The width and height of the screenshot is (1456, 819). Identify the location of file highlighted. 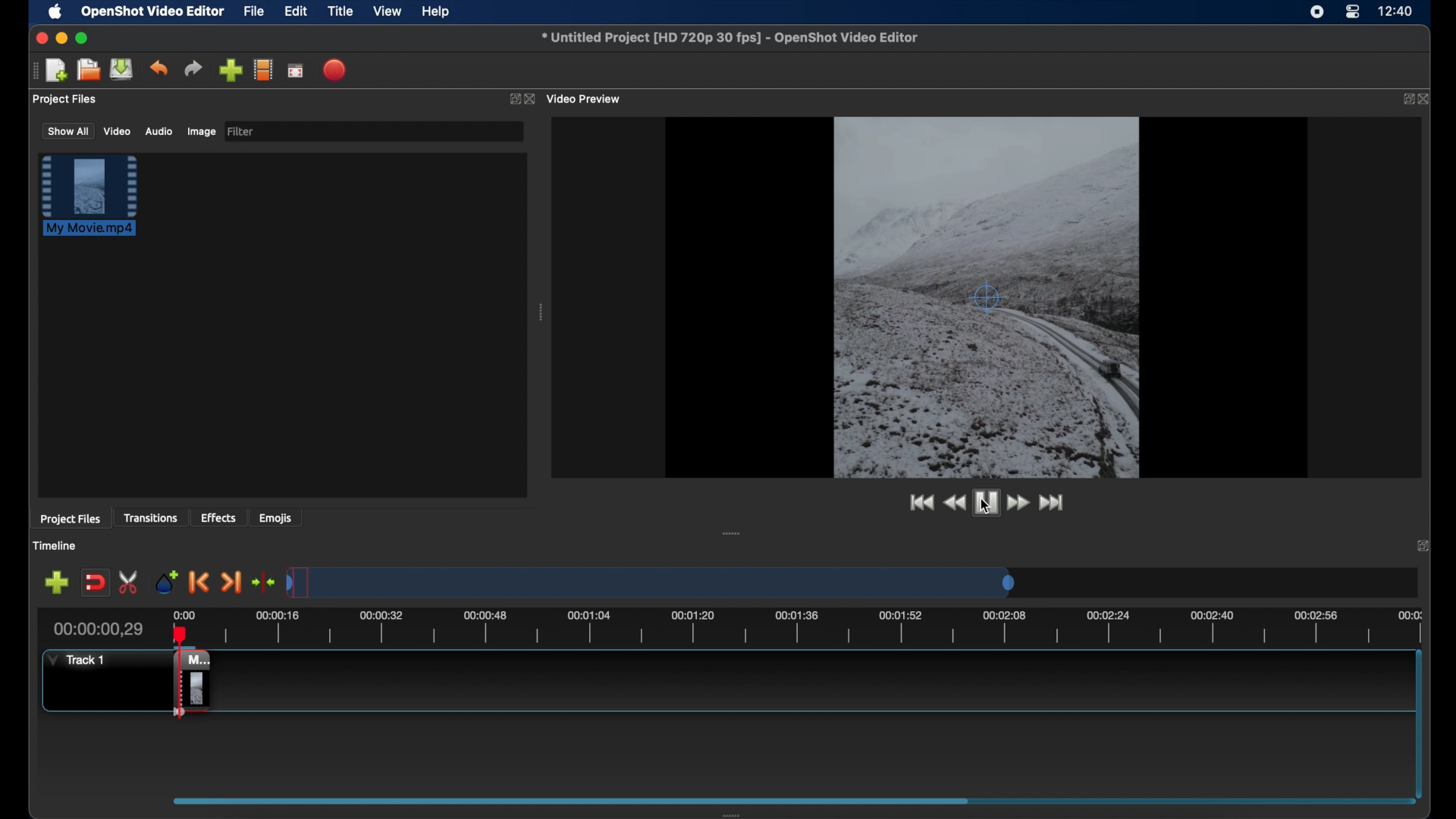
(89, 195).